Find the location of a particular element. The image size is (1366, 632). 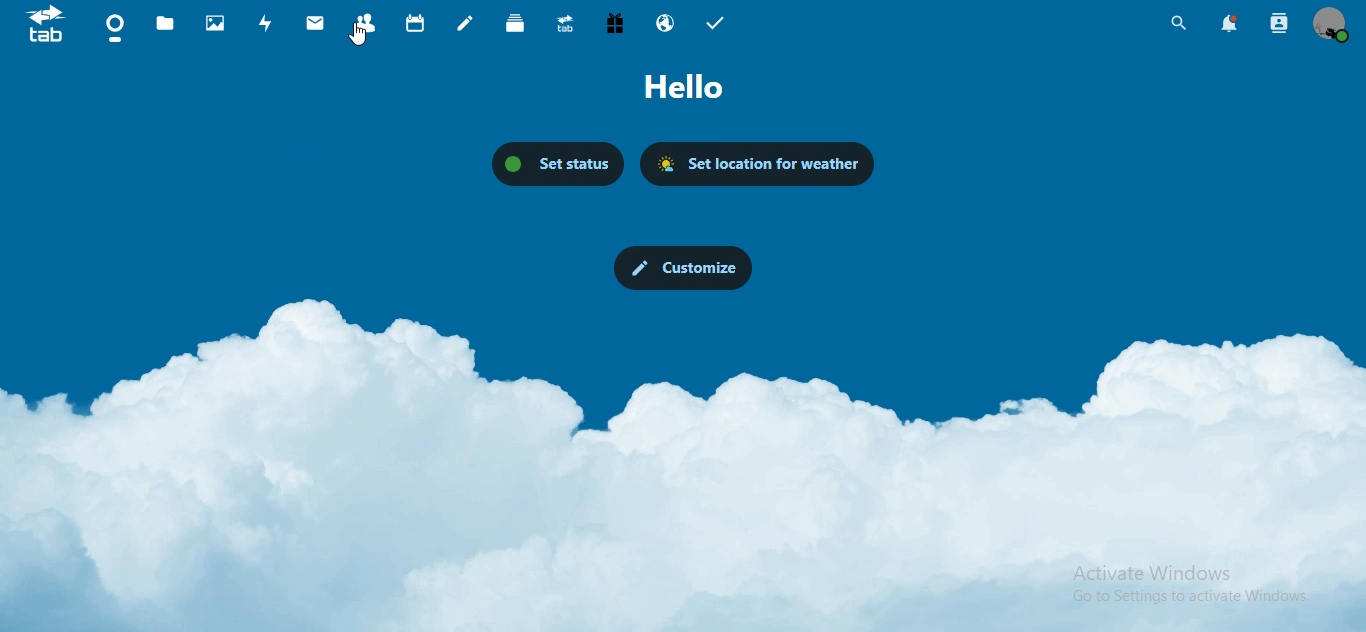

set status is located at coordinates (558, 165).